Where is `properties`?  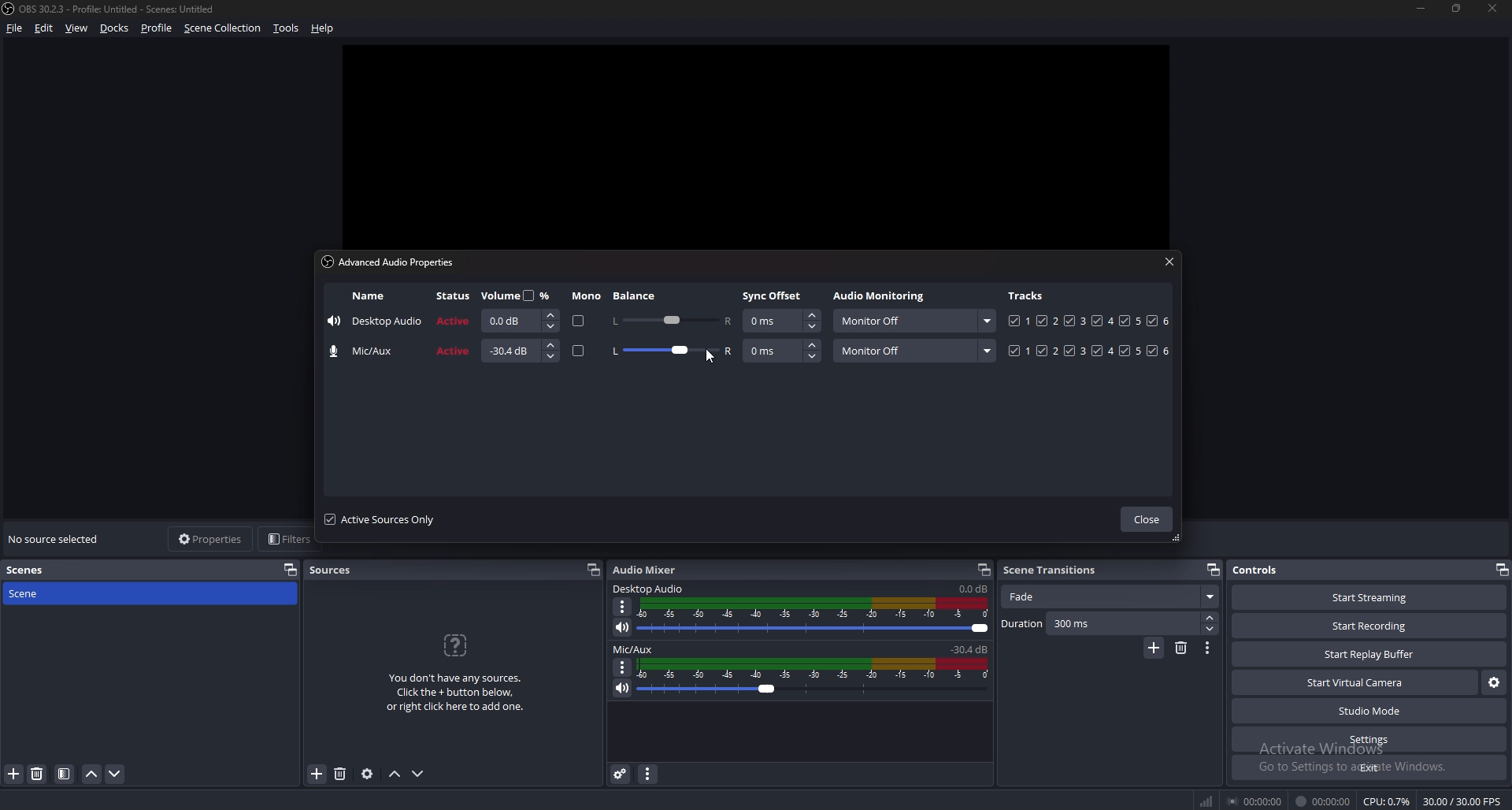
properties is located at coordinates (213, 539).